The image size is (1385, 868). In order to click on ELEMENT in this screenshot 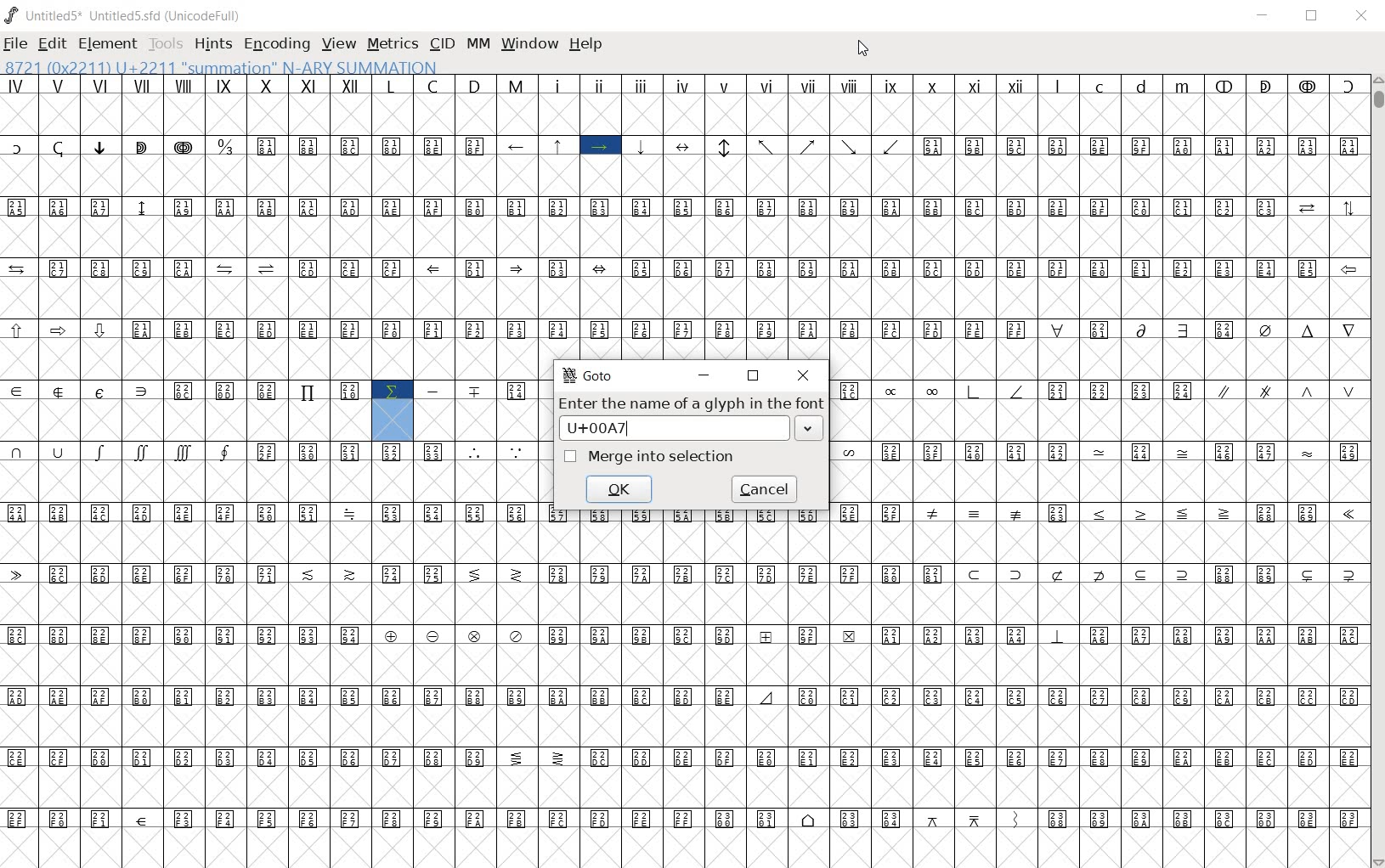, I will do `click(108, 44)`.